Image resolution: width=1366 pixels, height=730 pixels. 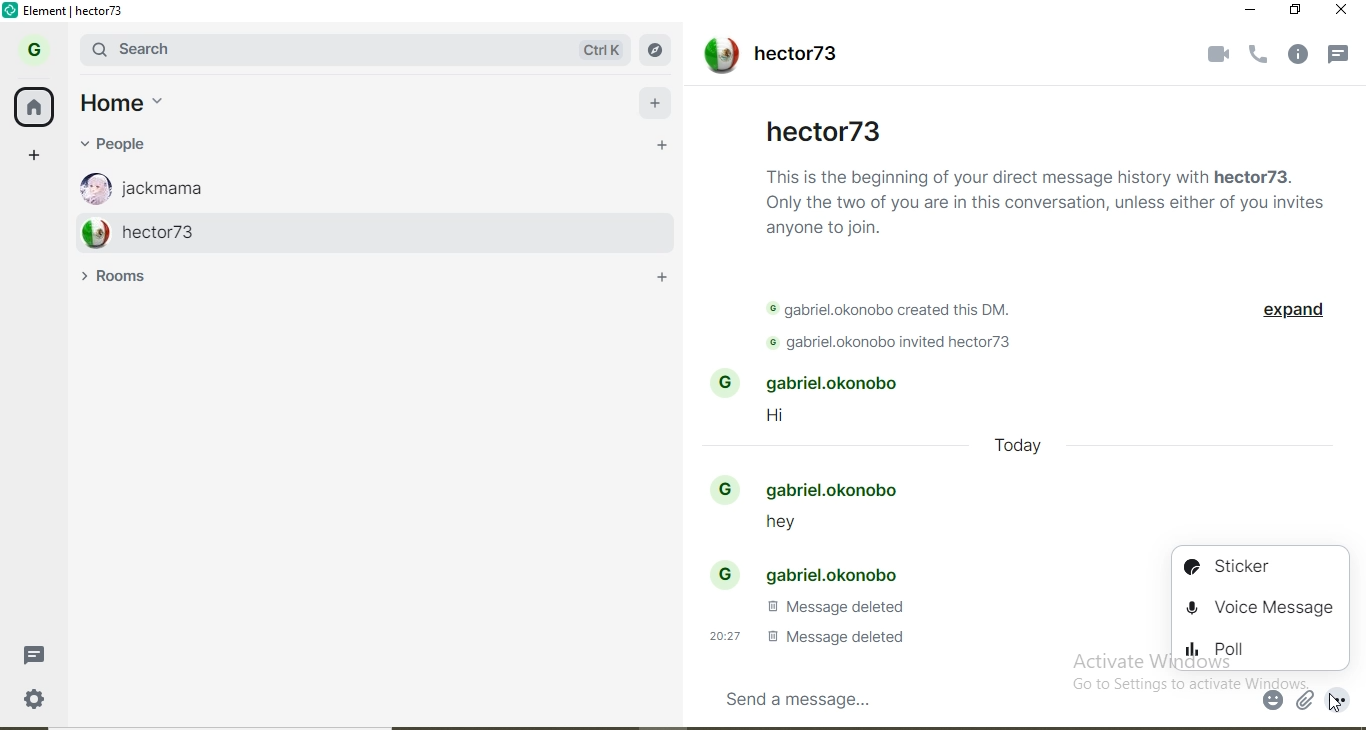 What do you see at coordinates (899, 311) in the screenshot?
I see `text 2` at bounding box center [899, 311].